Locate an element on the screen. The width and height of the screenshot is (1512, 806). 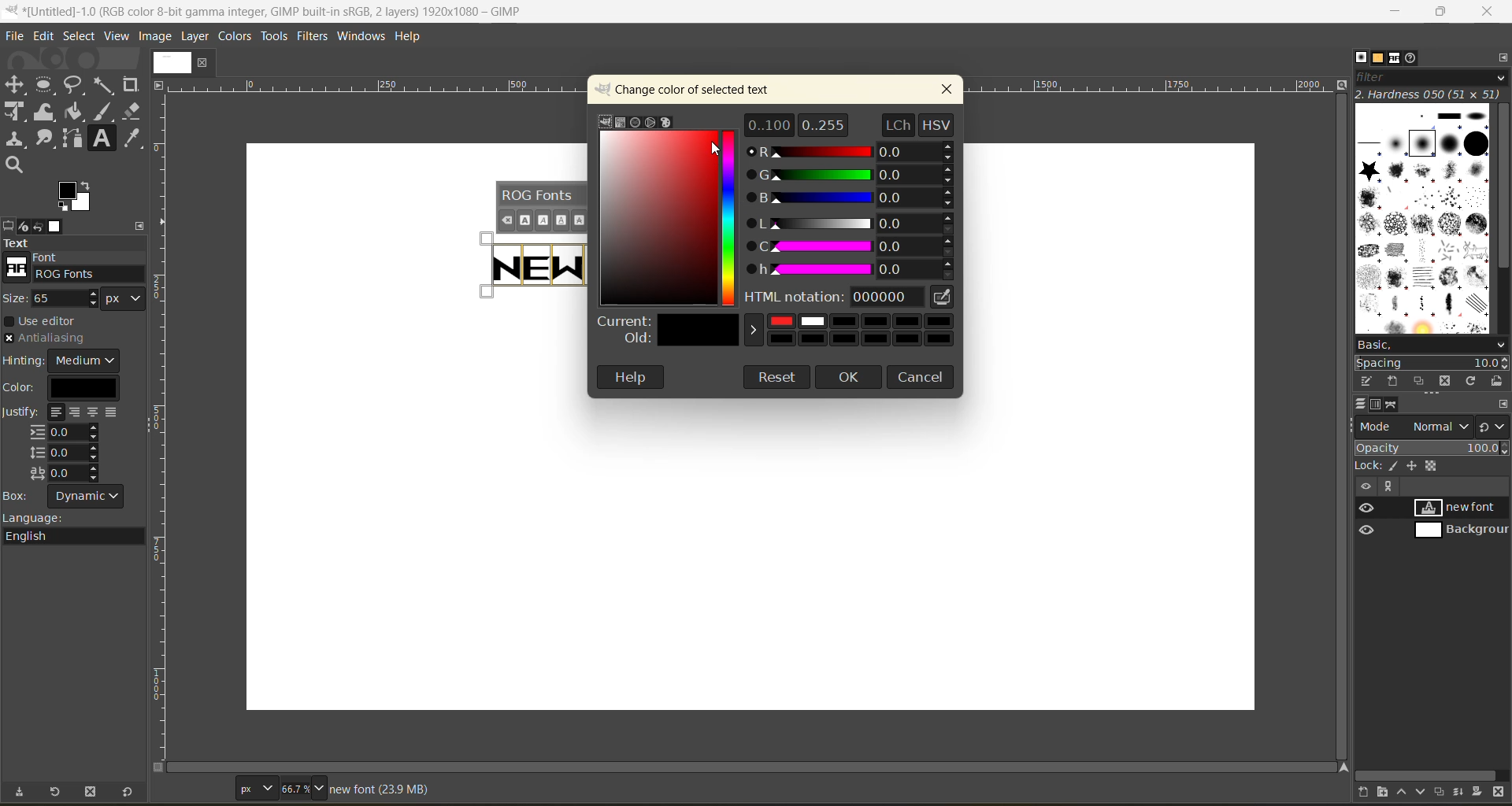
use editor is located at coordinates (48, 321).